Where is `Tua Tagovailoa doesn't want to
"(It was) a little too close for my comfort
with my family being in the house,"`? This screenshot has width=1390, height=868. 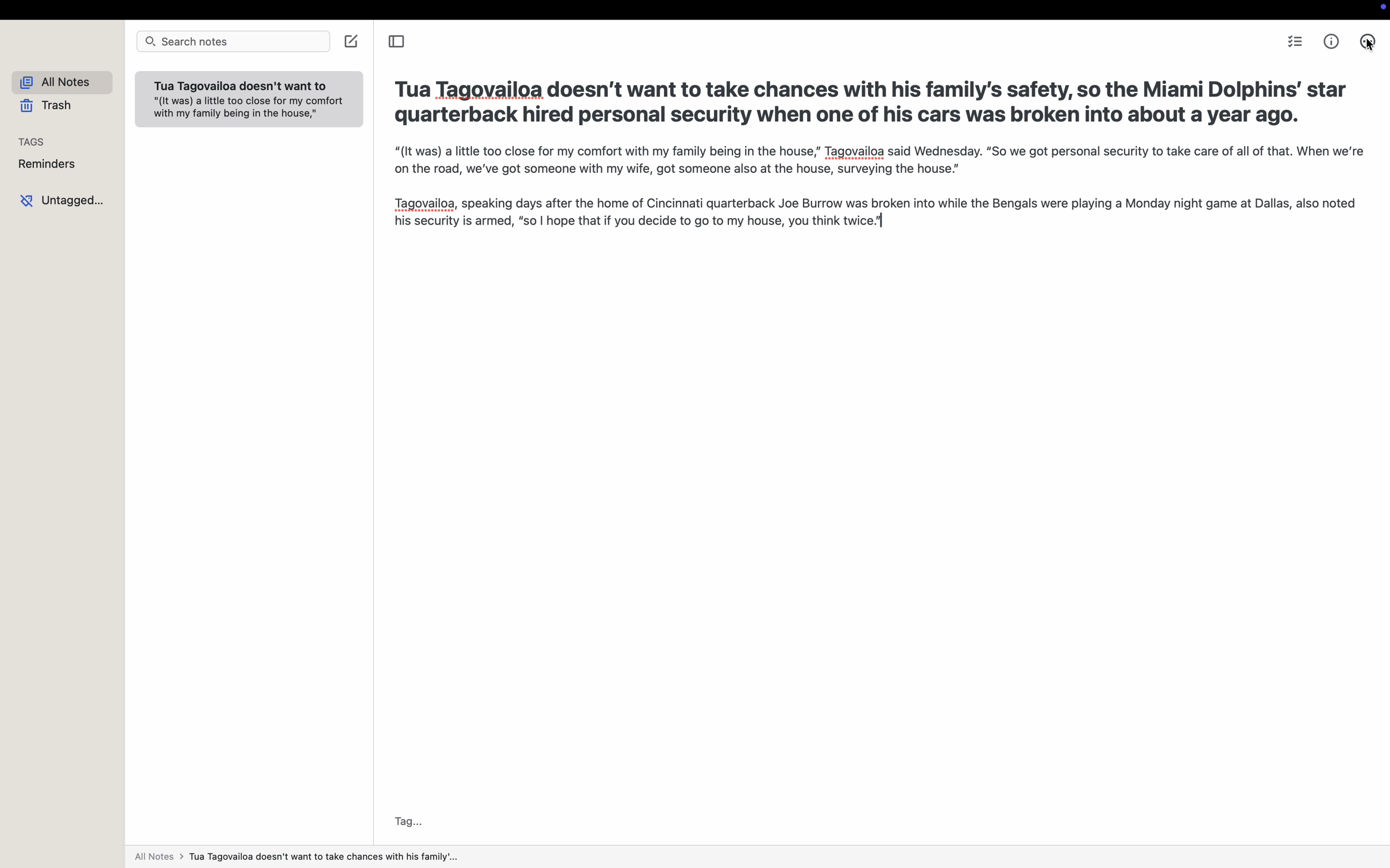
Tua Tagovailoa doesn't want to
"(It was) a little too close for my comfort
with my family being in the house," is located at coordinates (249, 102).